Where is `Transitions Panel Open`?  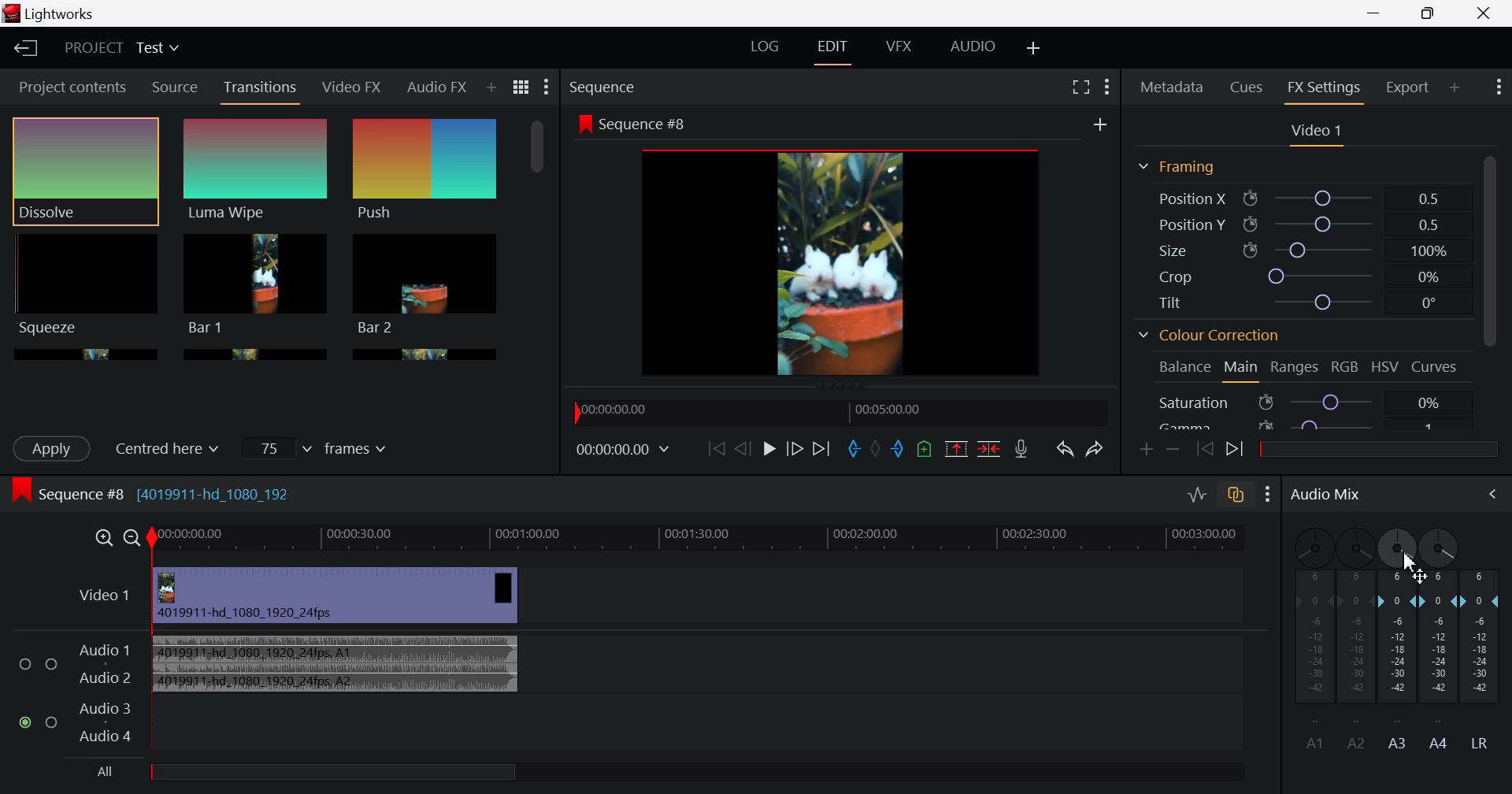
Transitions Panel Open is located at coordinates (261, 92).